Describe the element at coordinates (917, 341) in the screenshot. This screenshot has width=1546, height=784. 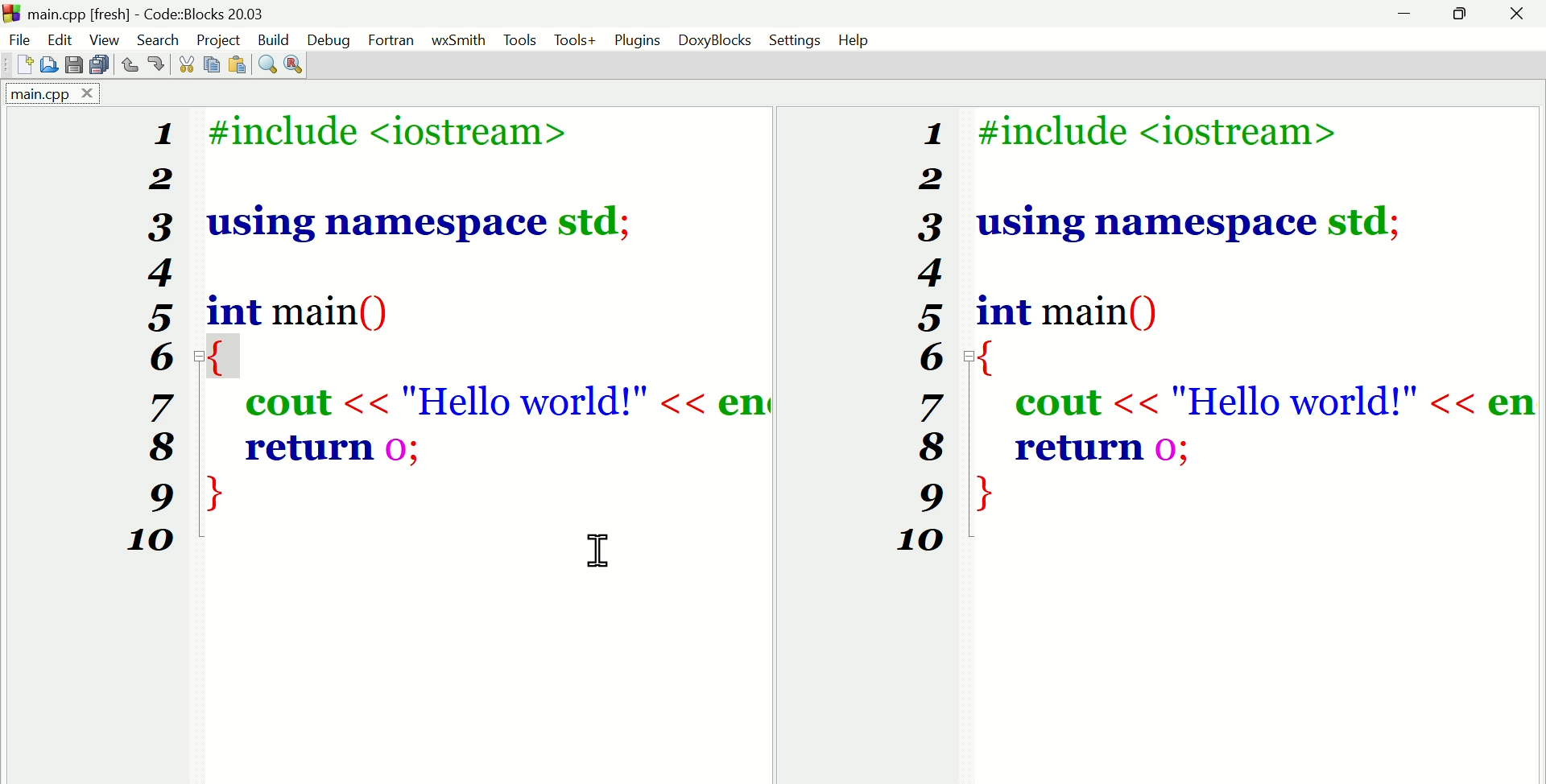
I see `12345648910` at that location.